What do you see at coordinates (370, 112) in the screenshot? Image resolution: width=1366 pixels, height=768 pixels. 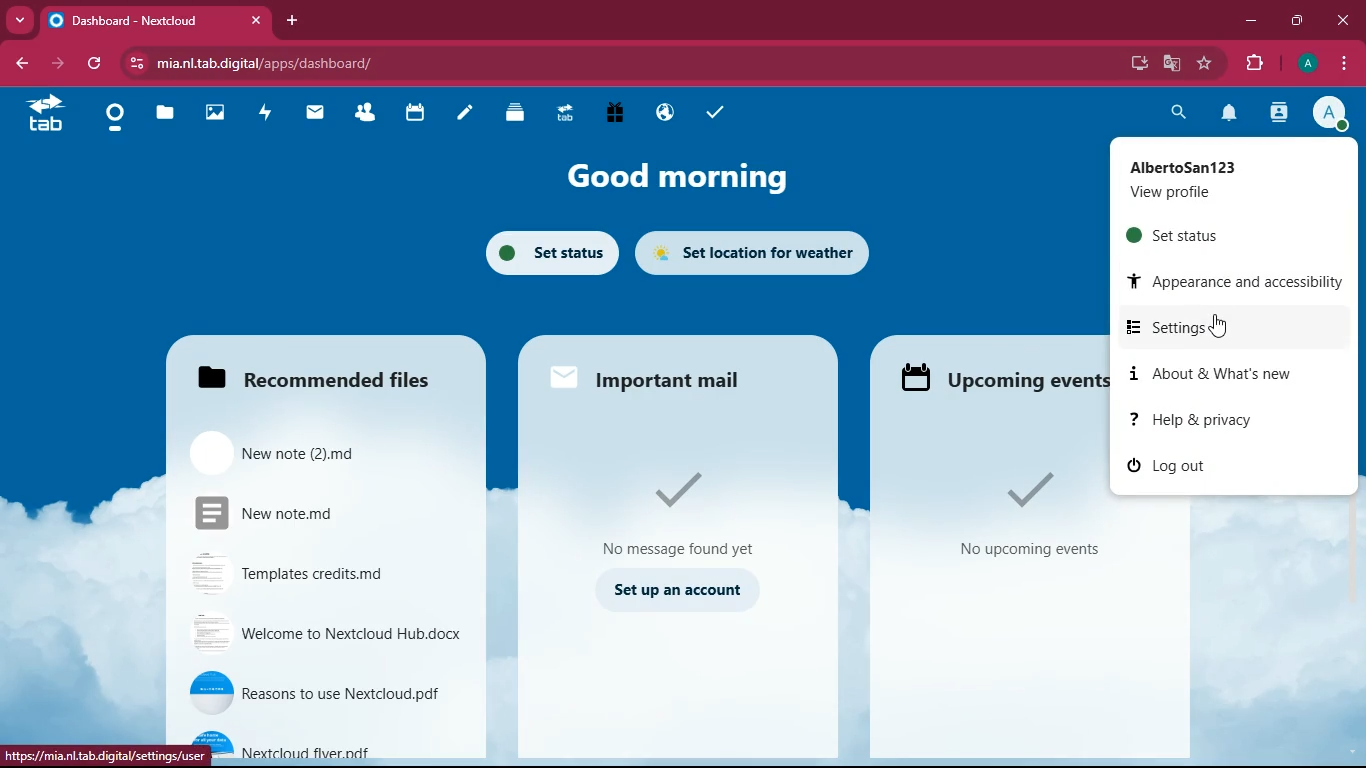 I see `friends` at bounding box center [370, 112].